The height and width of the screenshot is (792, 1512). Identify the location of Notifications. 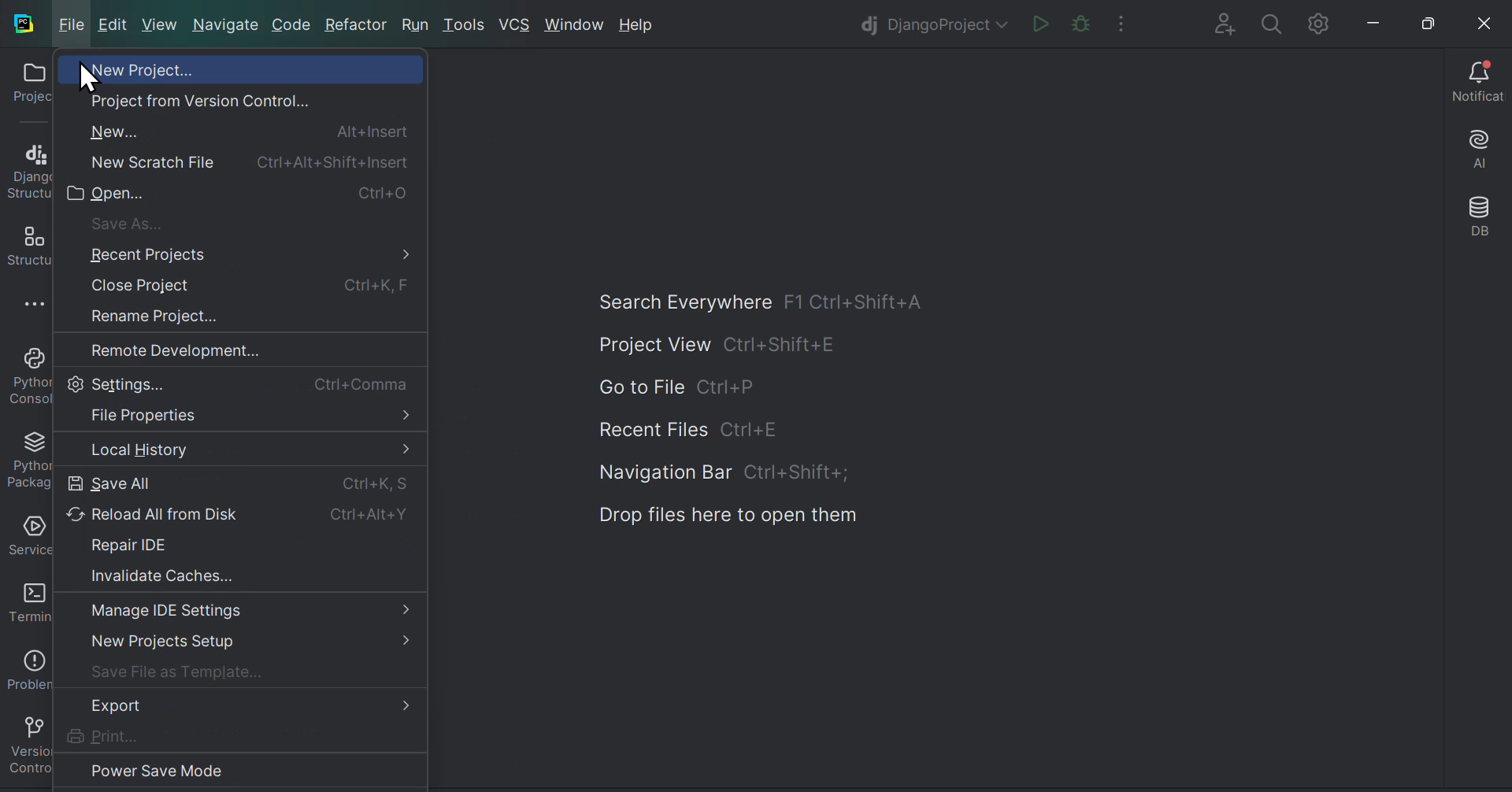
(1473, 82).